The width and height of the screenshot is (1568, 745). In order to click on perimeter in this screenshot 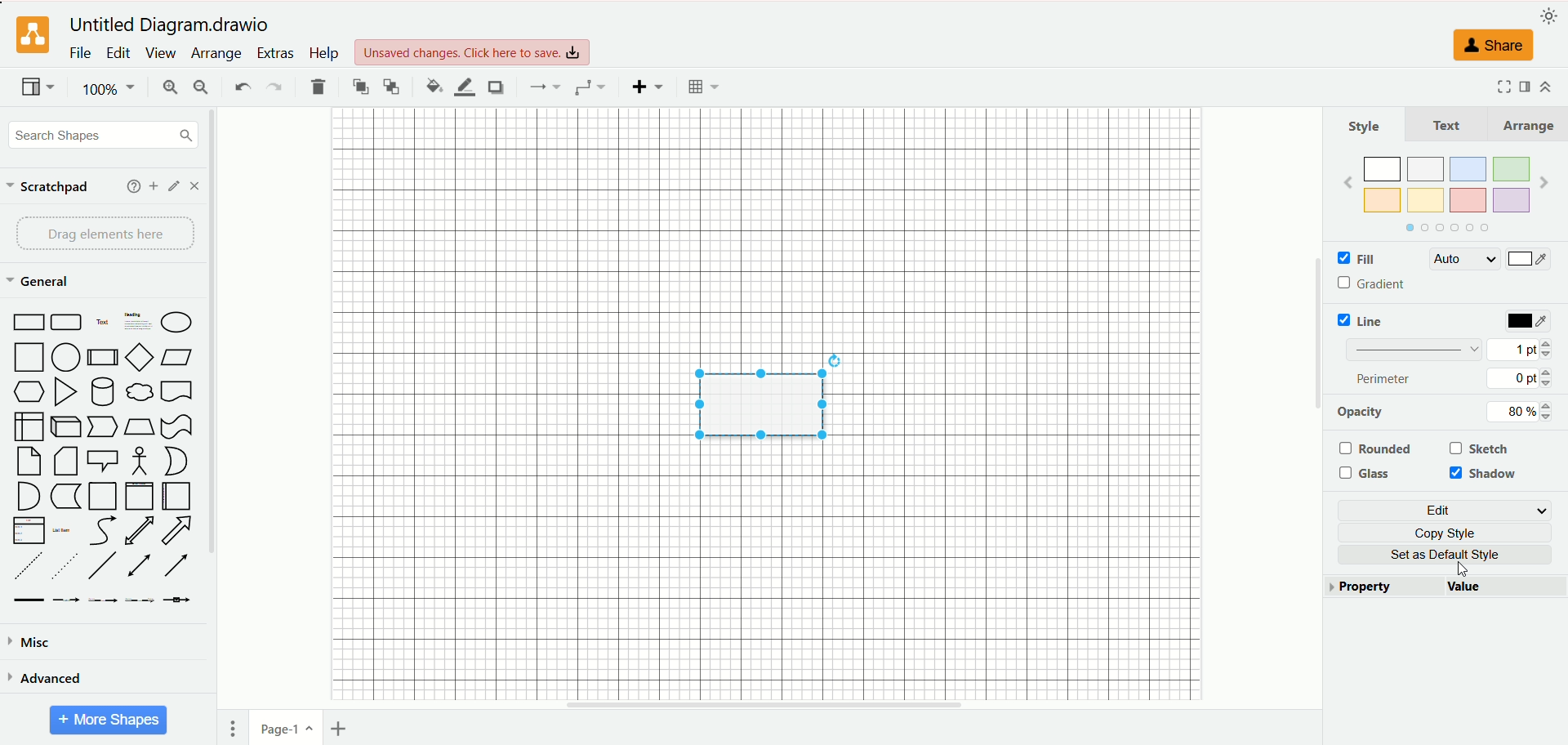, I will do `click(1385, 378)`.